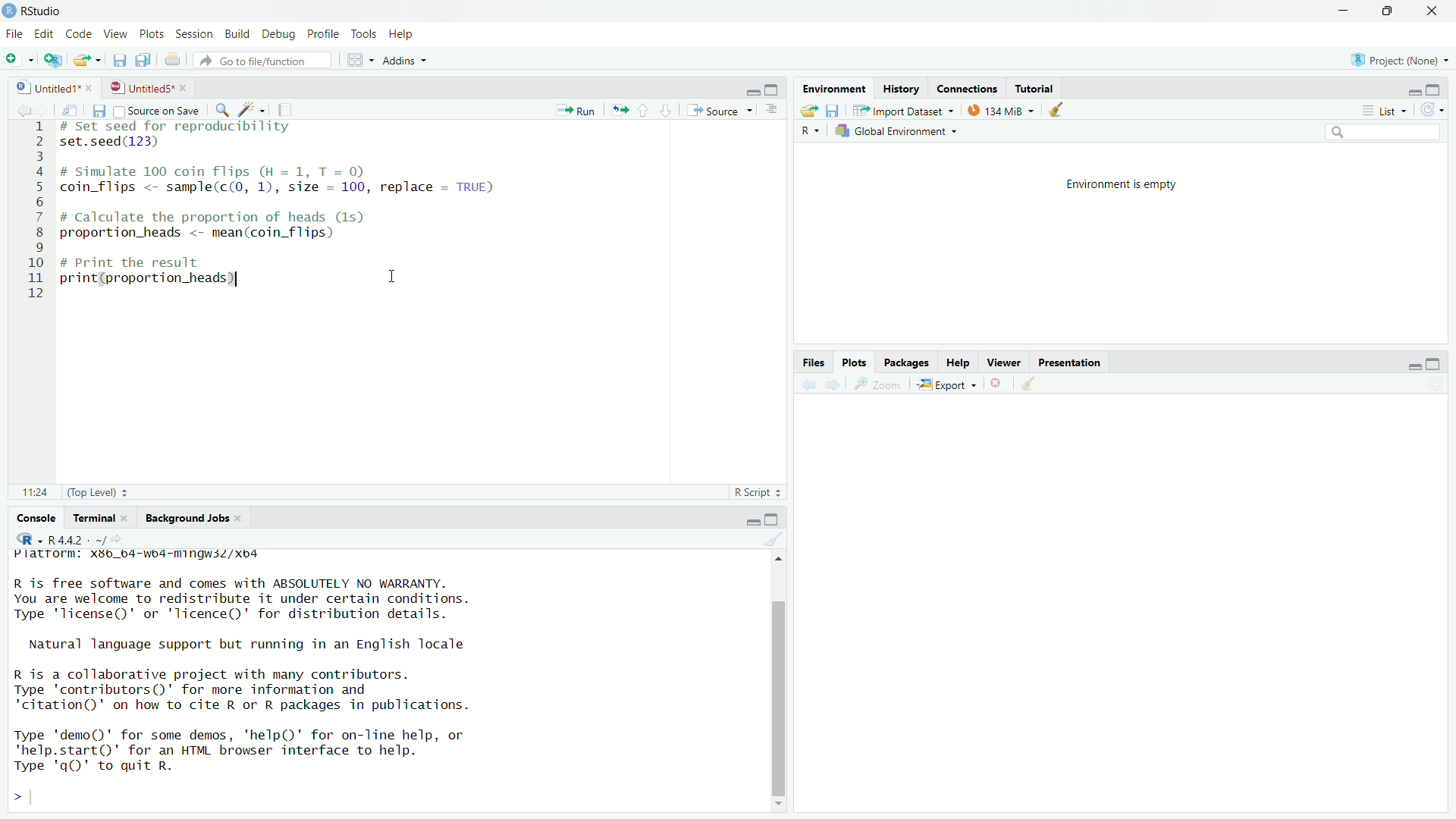 Image resolution: width=1456 pixels, height=819 pixels. What do you see at coordinates (37, 796) in the screenshot?
I see `typing cursor` at bounding box center [37, 796].